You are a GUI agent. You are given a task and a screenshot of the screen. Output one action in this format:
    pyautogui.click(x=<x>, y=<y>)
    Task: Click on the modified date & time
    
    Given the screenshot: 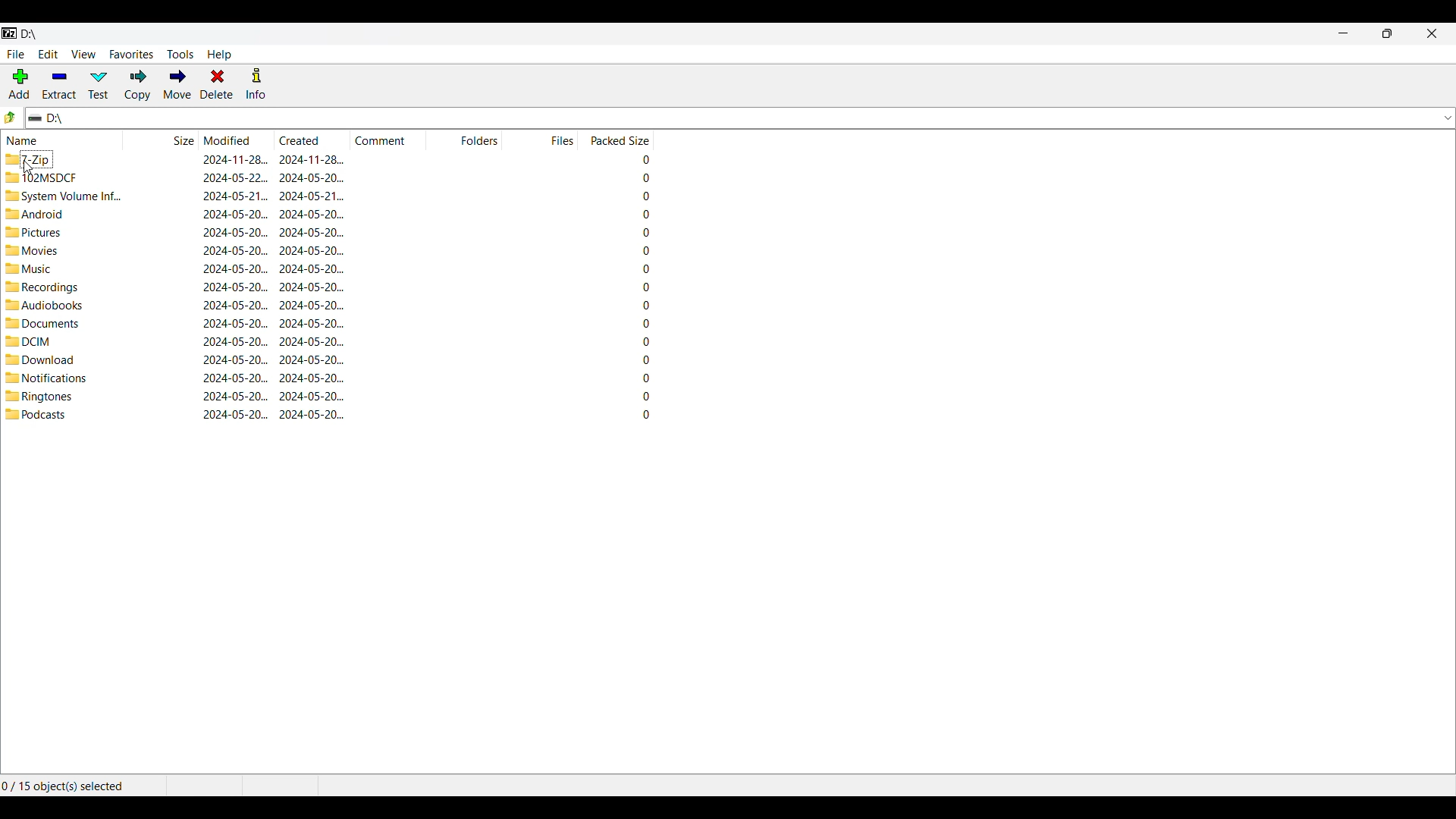 What is the action you would take?
    pyautogui.click(x=236, y=250)
    